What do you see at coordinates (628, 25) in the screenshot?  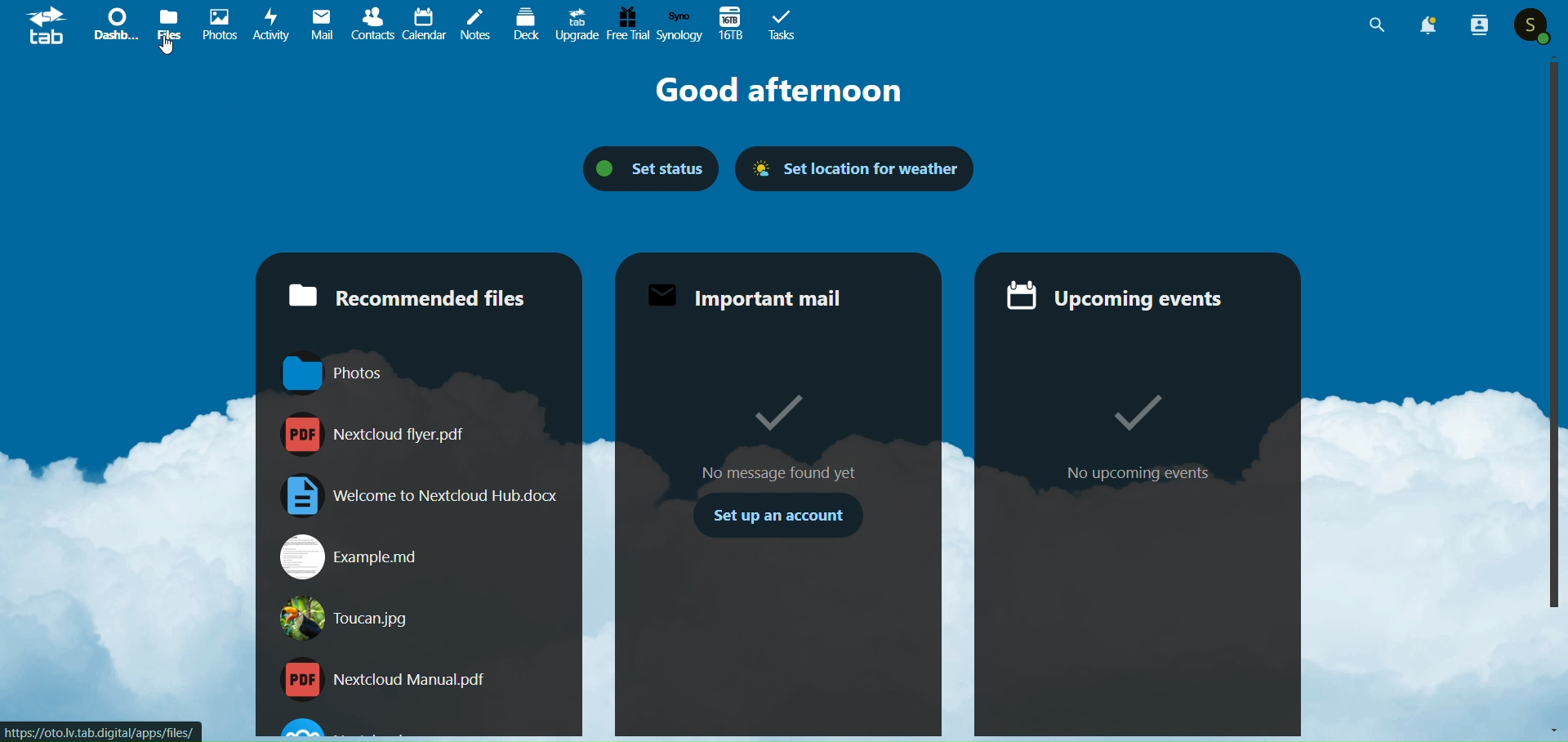 I see `free trial` at bounding box center [628, 25].